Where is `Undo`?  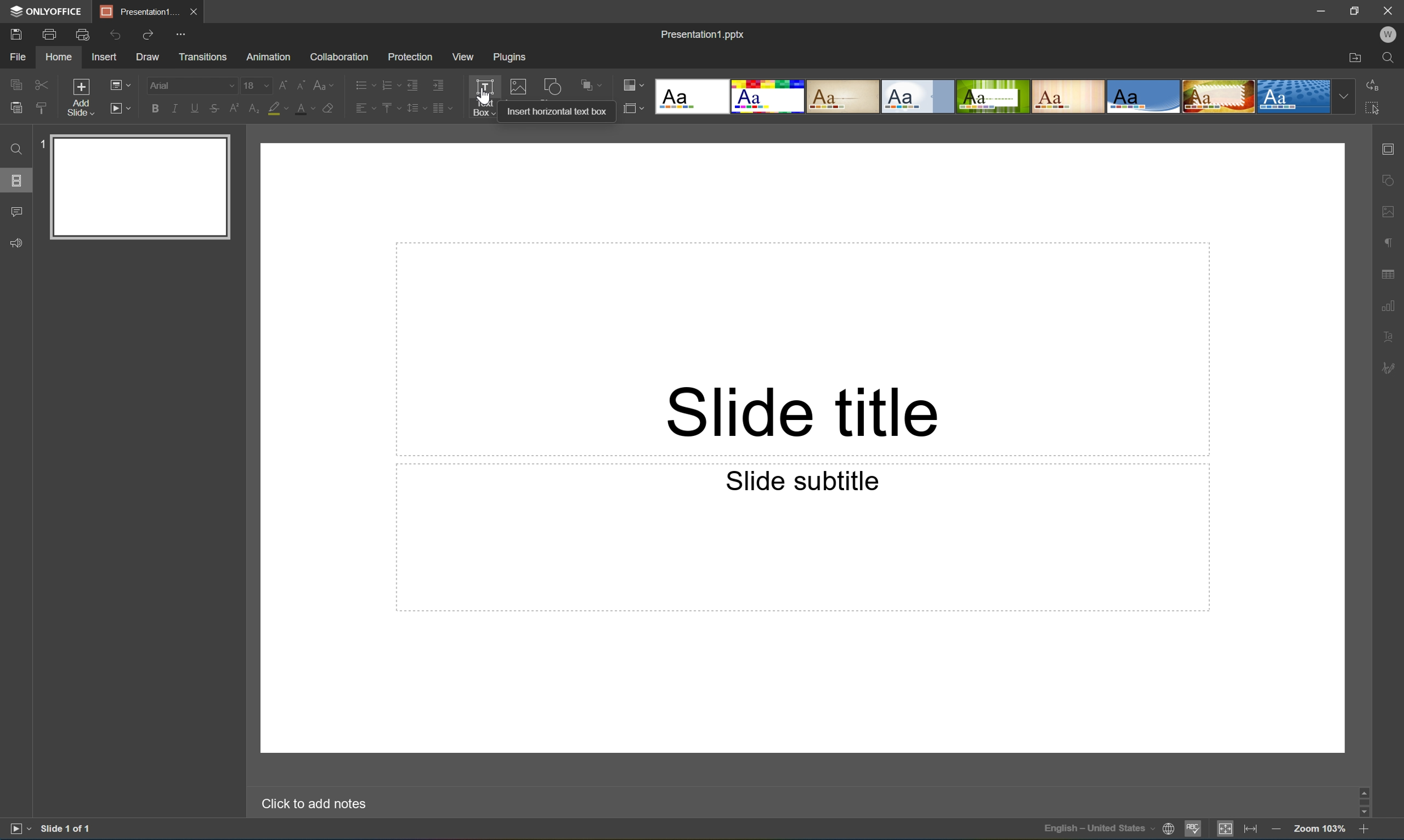
Undo is located at coordinates (113, 35).